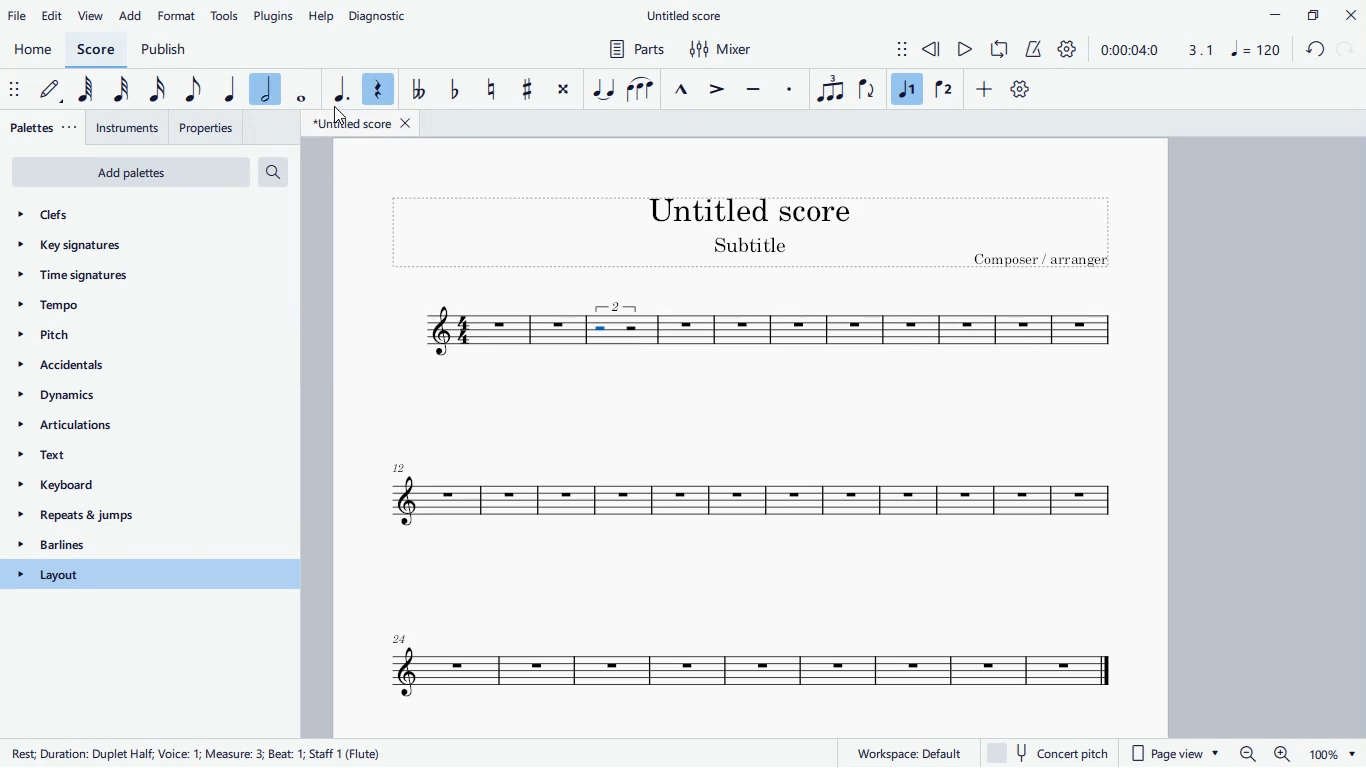  Describe the element at coordinates (828, 89) in the screenshot. I see `tuplet` at that location.